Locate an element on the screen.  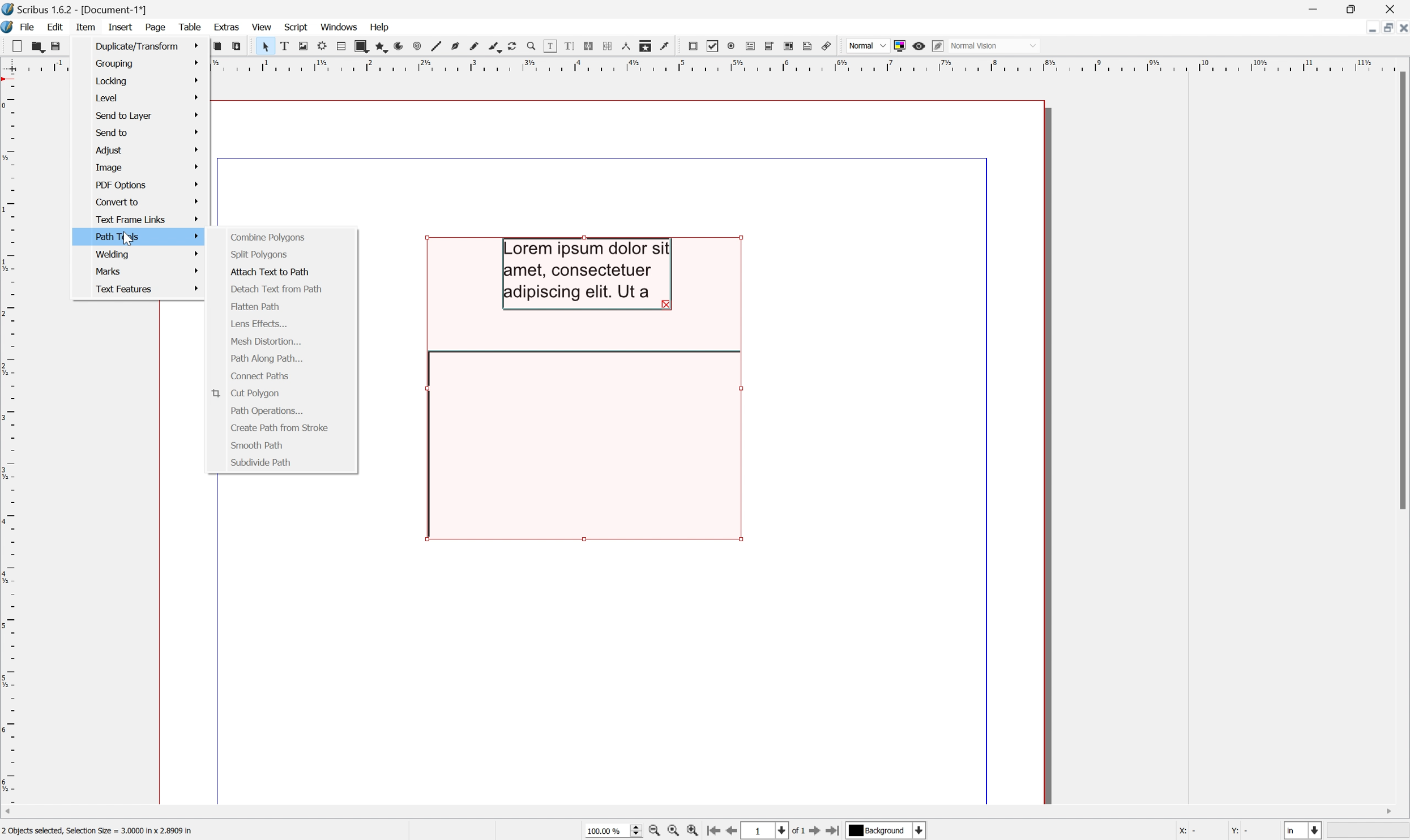
Select the current payer is located at coordinates (887, 832).